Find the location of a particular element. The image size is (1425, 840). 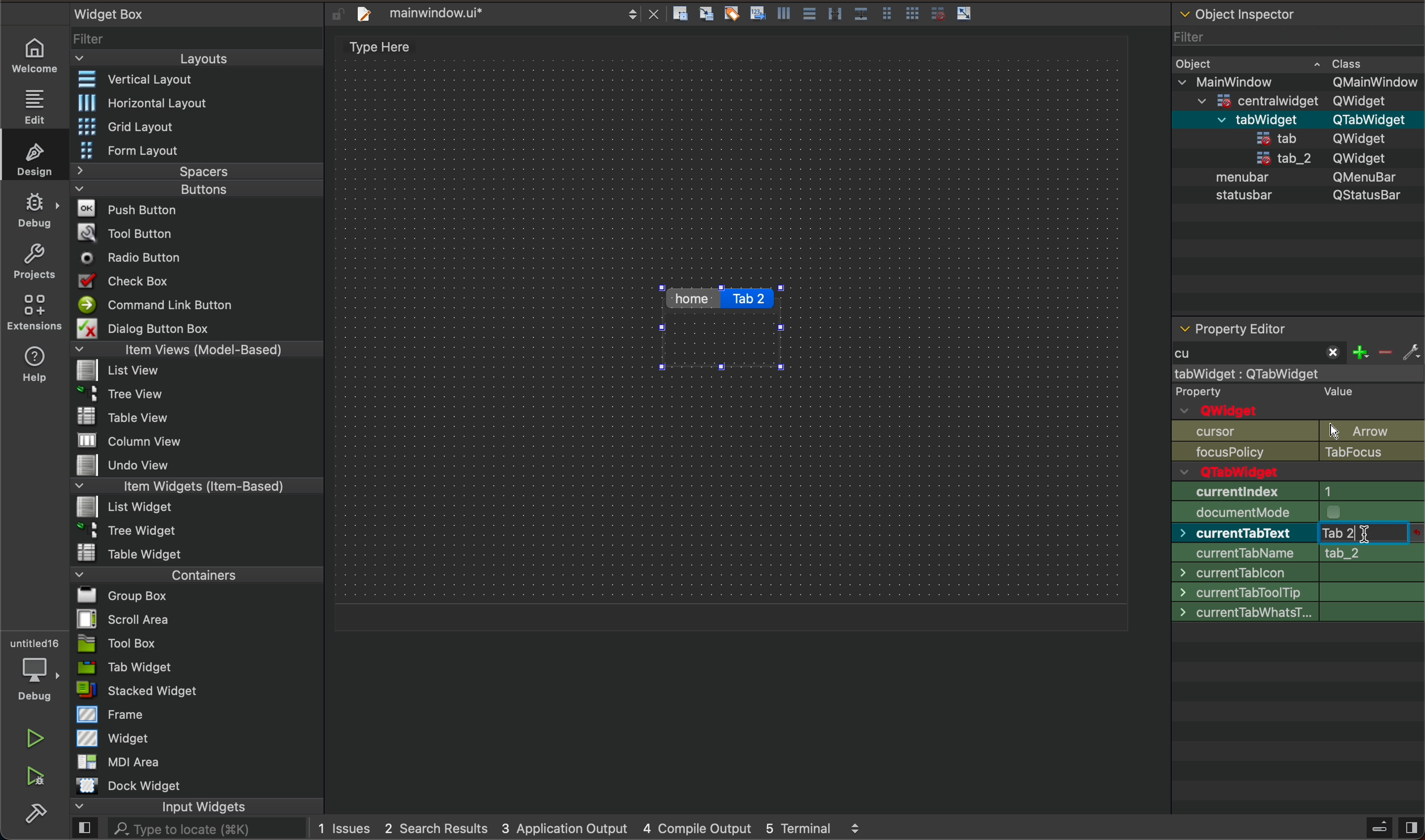

Widget is located at coordinates (114, 738).